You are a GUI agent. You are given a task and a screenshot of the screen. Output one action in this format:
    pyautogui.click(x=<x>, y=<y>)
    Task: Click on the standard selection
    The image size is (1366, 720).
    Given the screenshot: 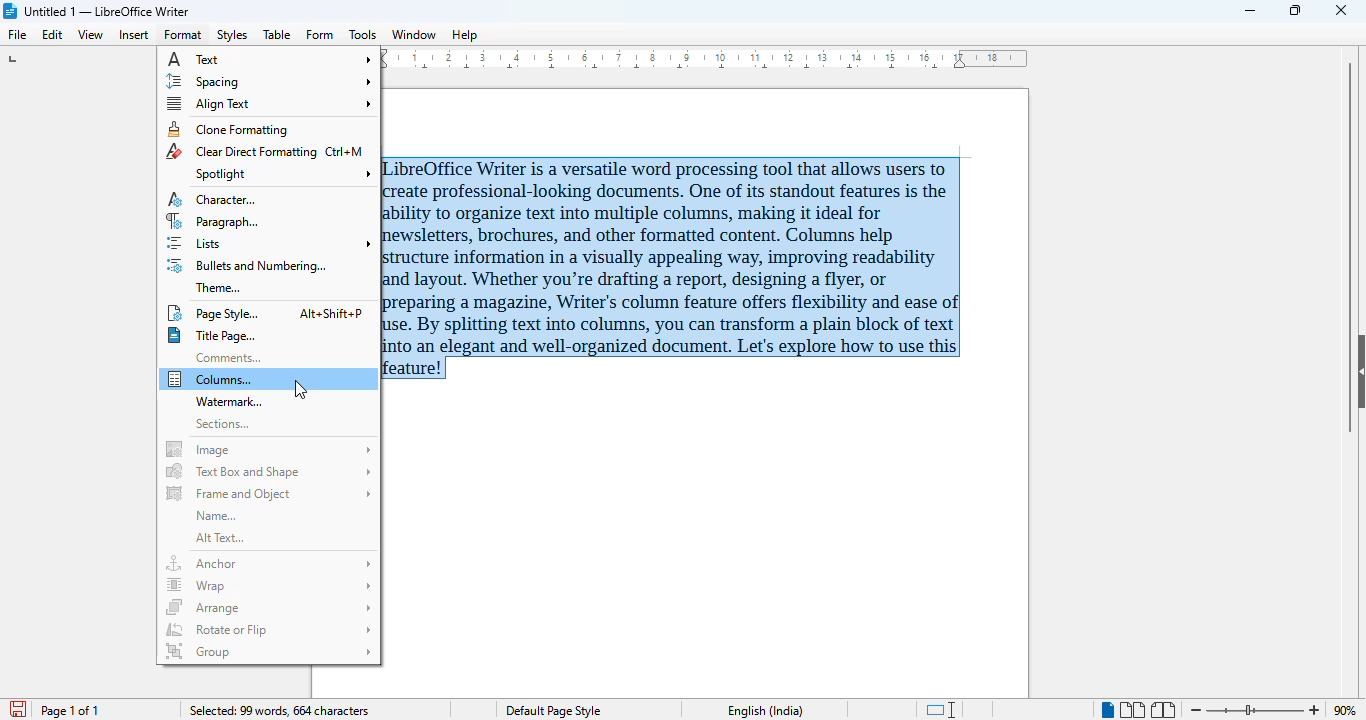 What is the action you would take?
    pyautogui.click(x=943, y=709)
    